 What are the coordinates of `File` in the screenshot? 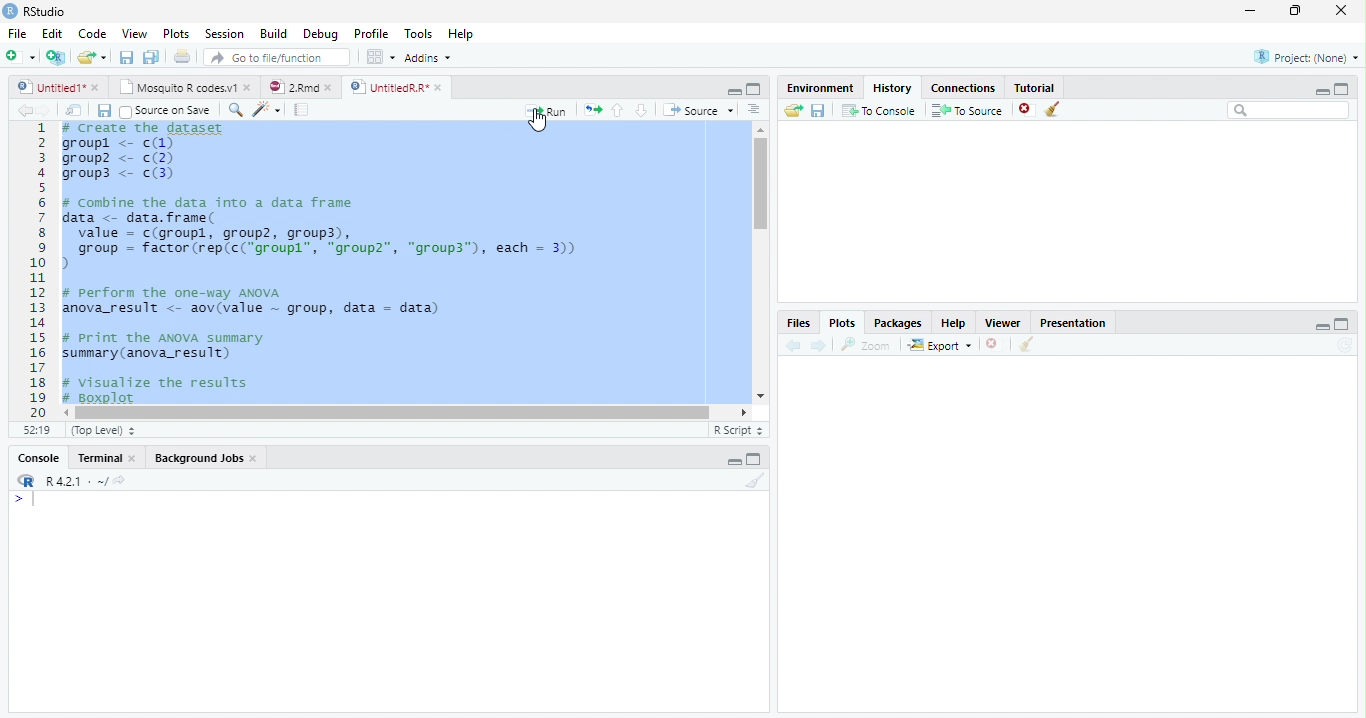 It's located at (15, 31).